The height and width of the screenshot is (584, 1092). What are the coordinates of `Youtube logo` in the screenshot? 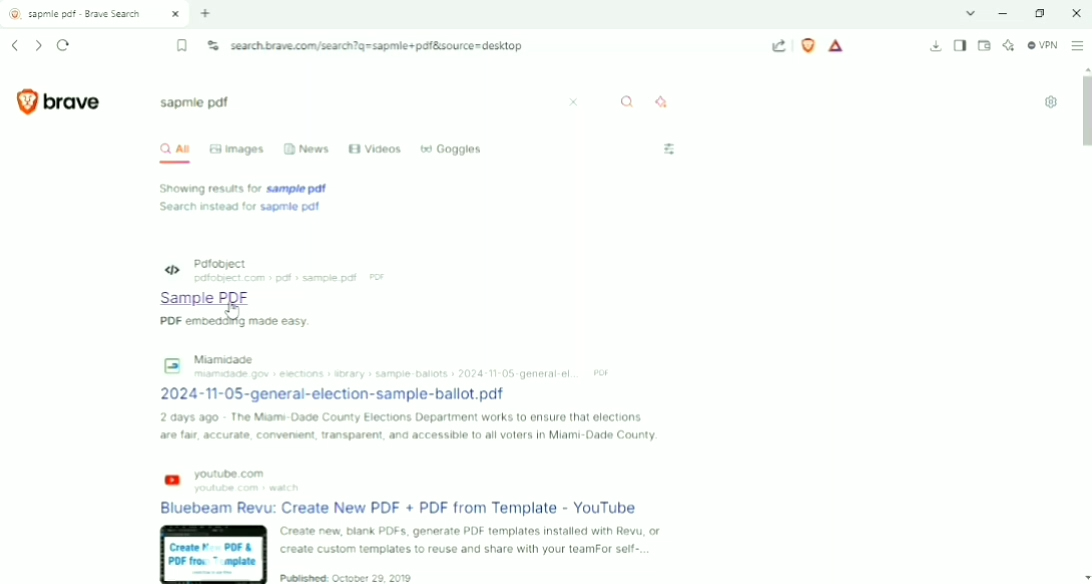 It's located at (172, 481).